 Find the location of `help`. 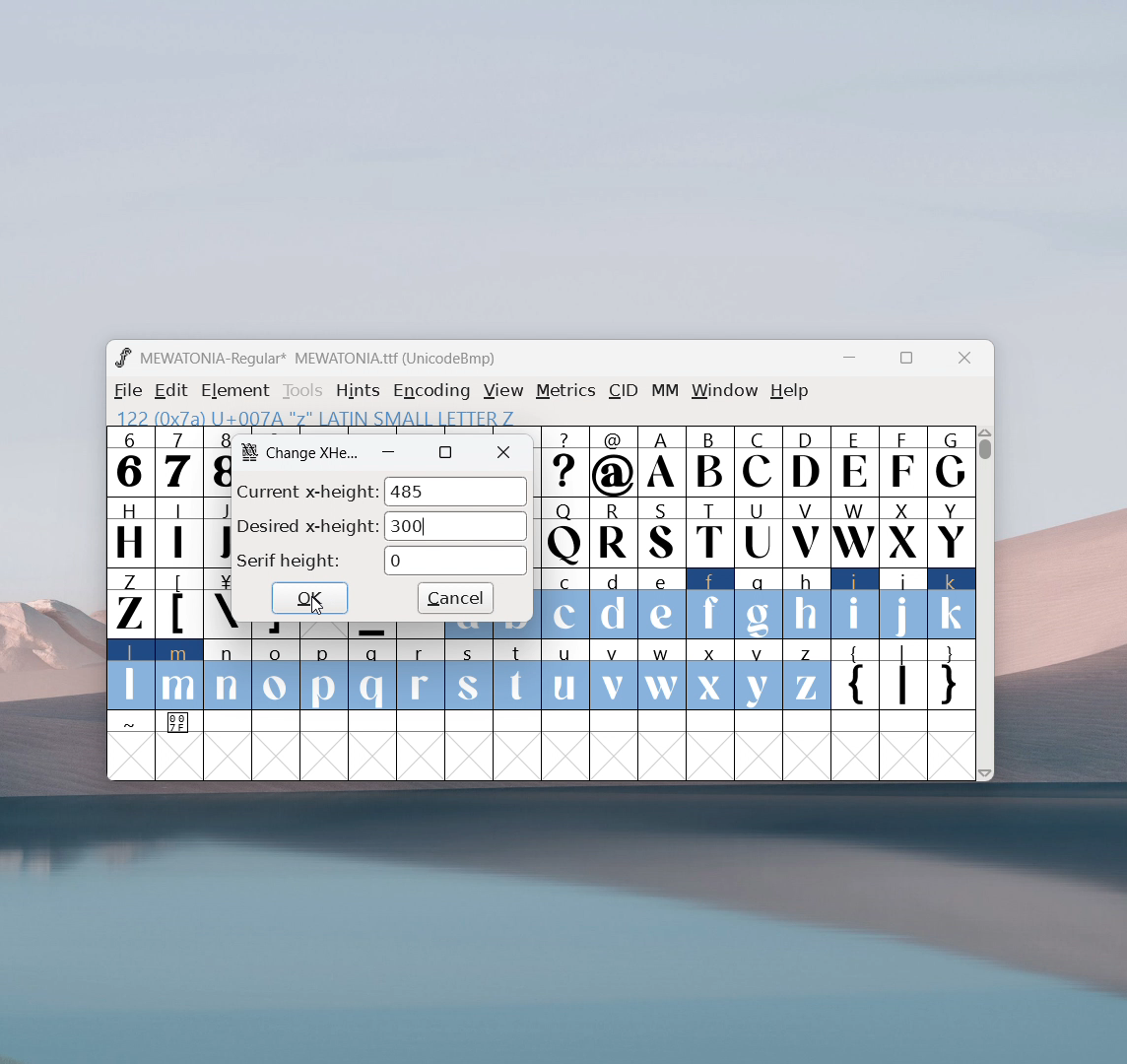

help is located at coordinates (790, 391).